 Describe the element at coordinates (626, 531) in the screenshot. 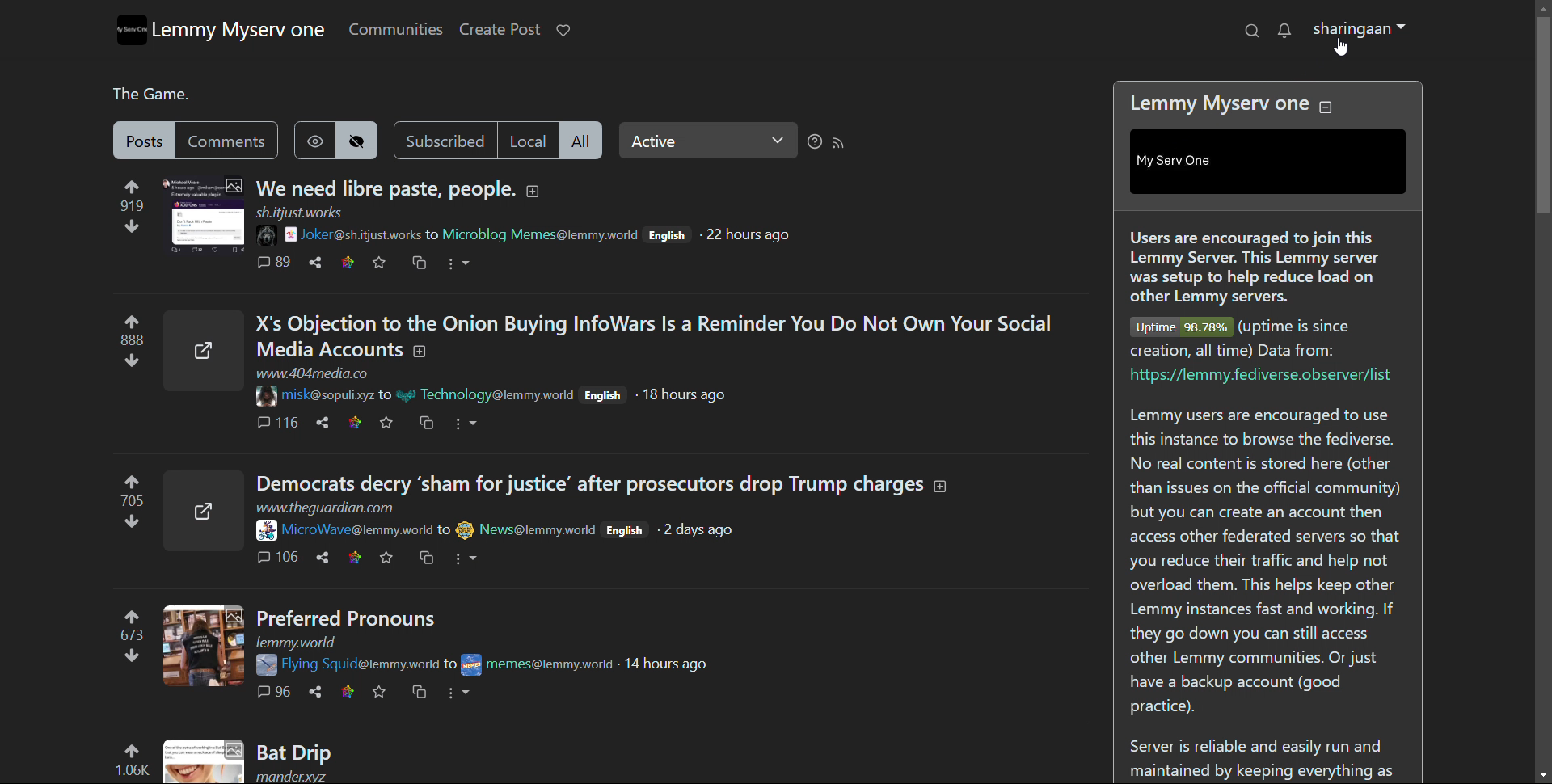

I see `English` at that location.